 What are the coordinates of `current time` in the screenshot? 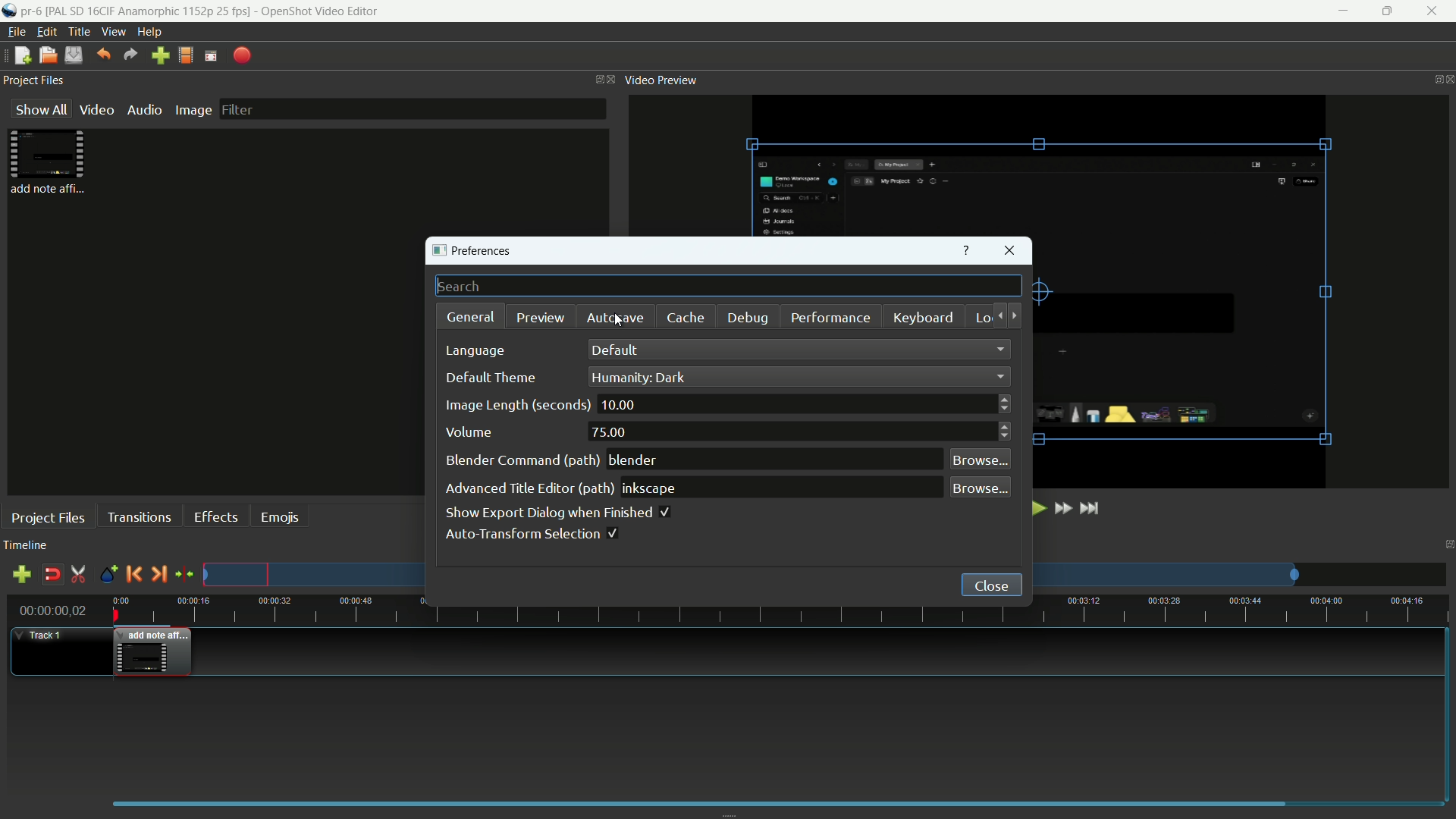 It's located at (54, 610).